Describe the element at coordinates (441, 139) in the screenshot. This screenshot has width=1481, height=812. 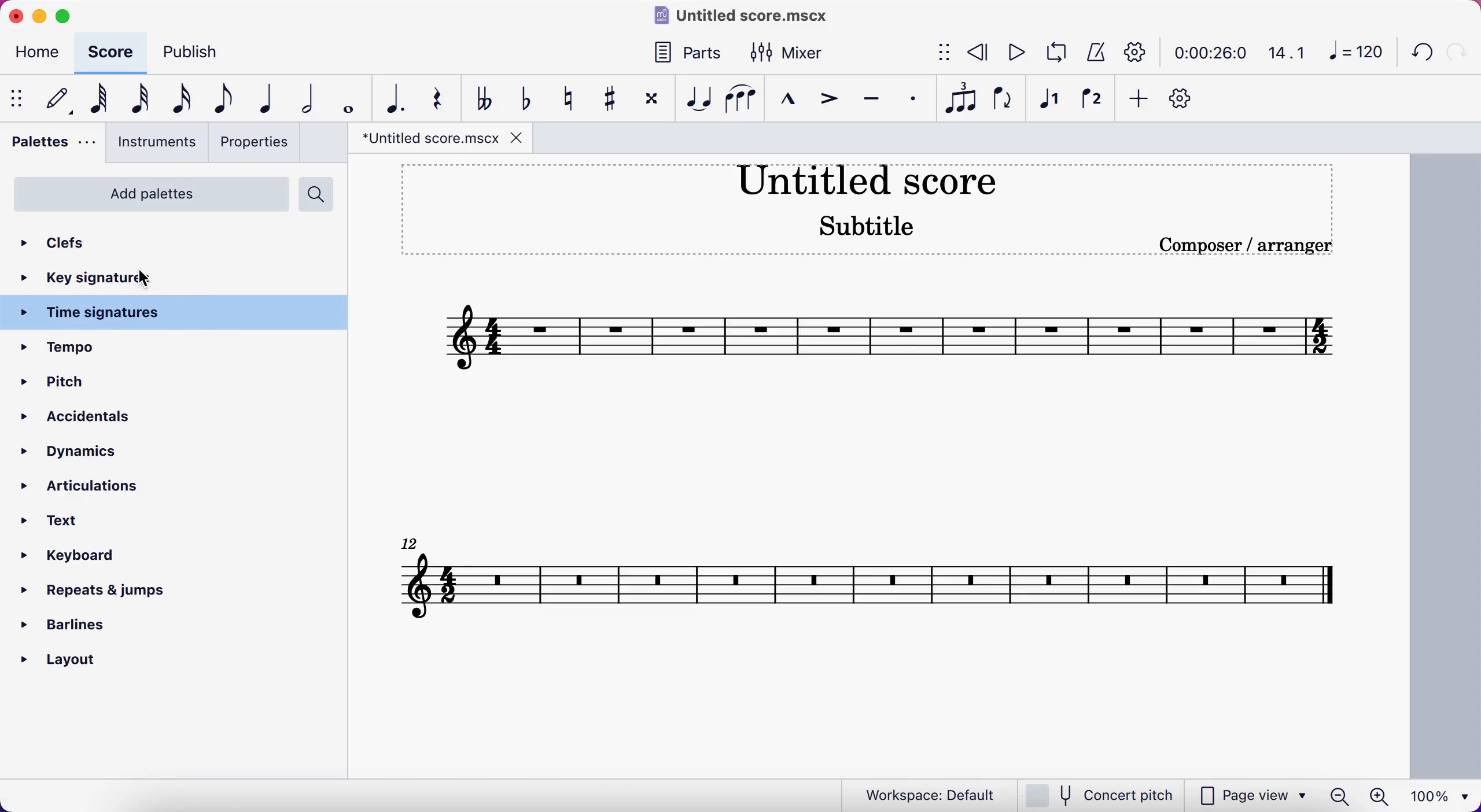
I see `file tab` at that location.